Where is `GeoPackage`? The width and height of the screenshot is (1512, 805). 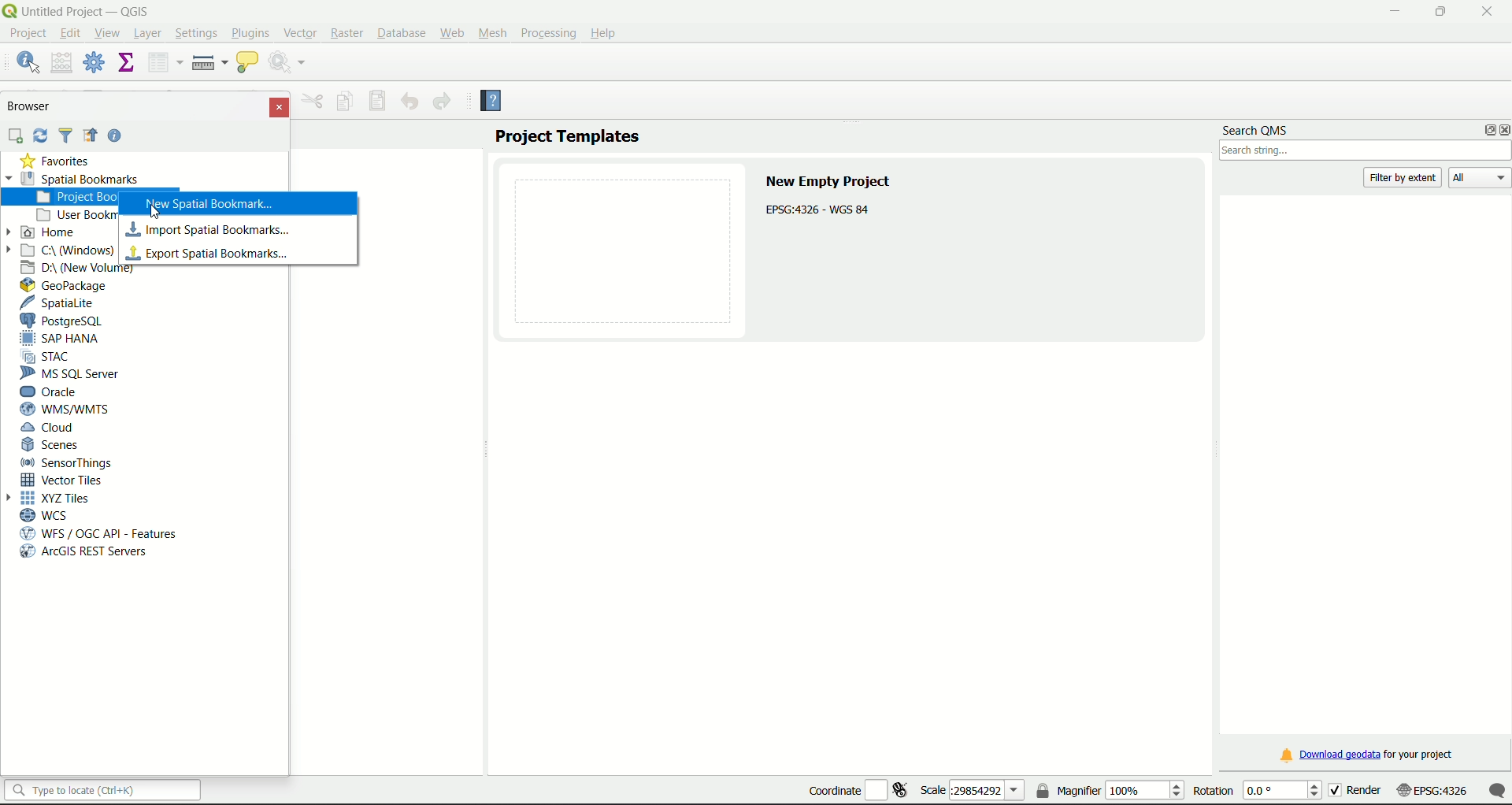 GeoPackage is located at coordinates (65, 286).